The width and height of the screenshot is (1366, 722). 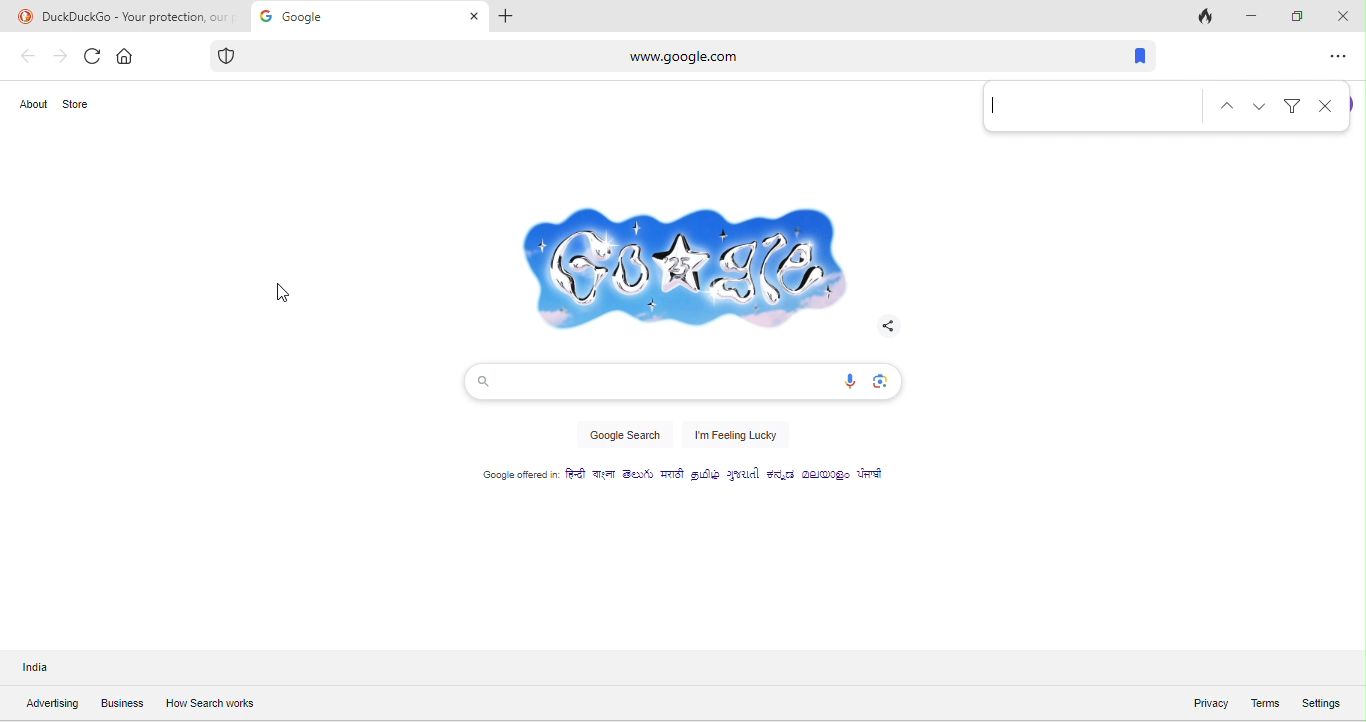 What do you see at coordinates (59, 56) in the screenshot?
I see `forward` at bounding box center [59, 56].